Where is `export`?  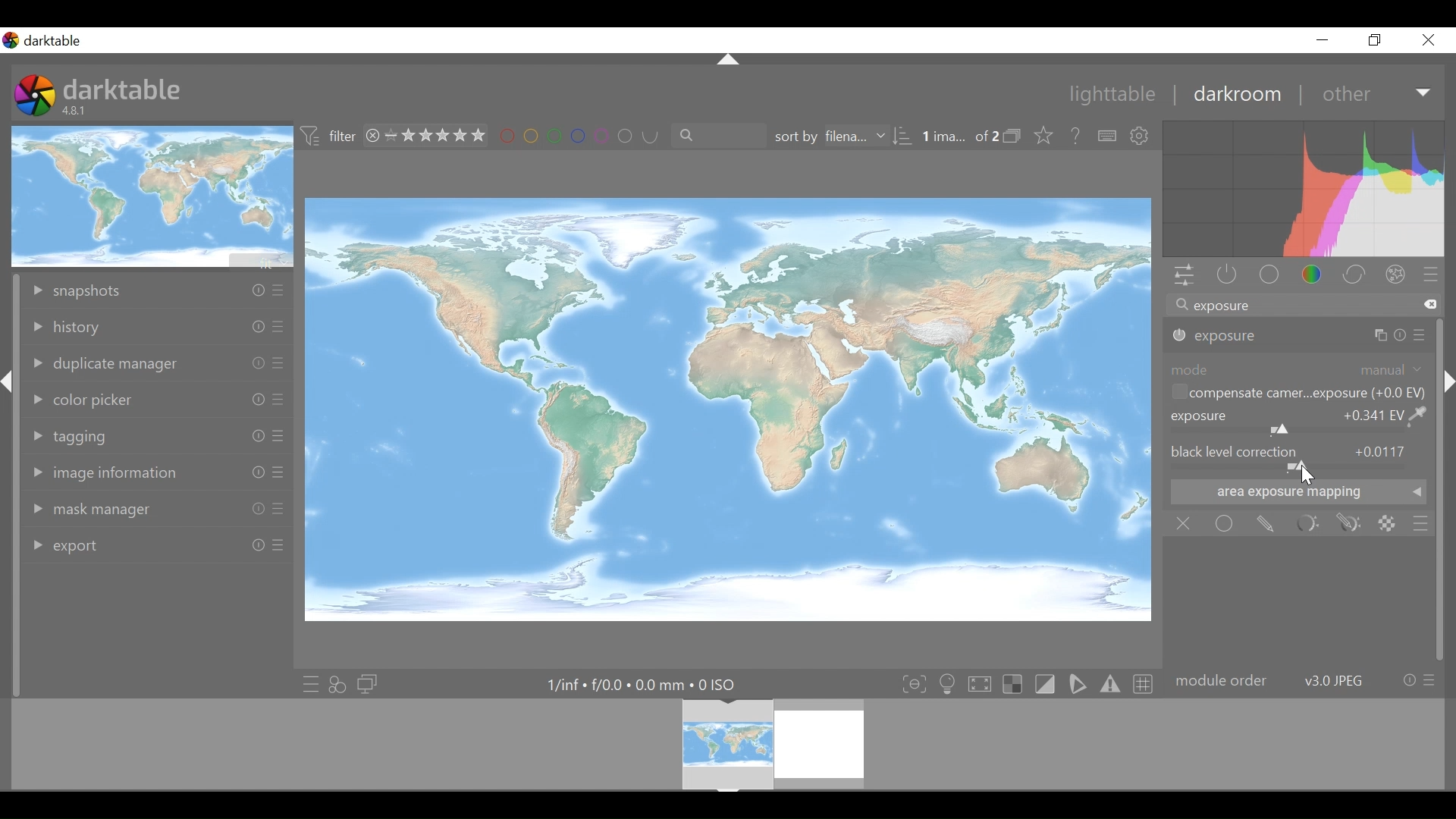
export is located at coordinates (157, 545).